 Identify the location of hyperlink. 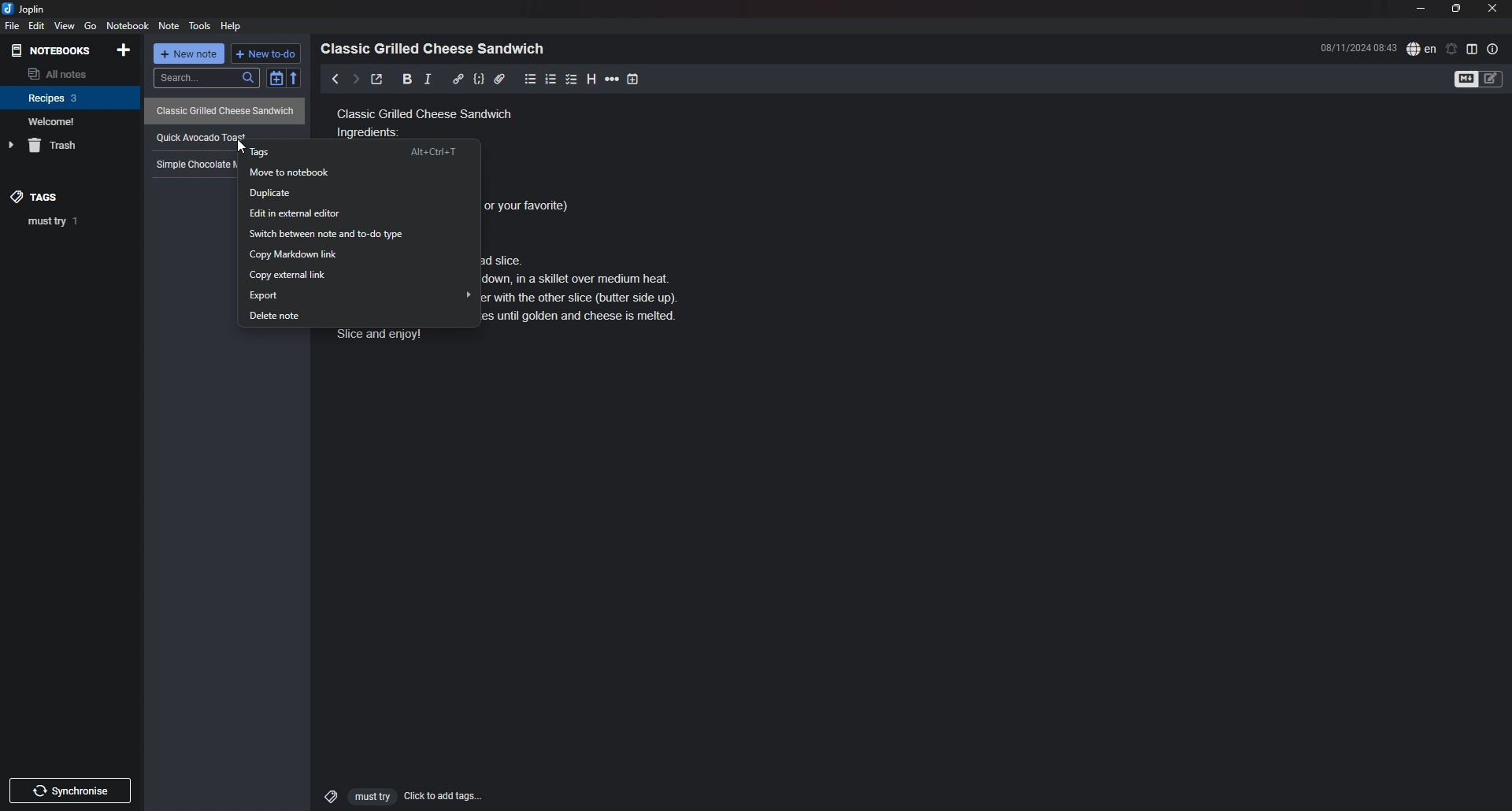
(458, 78).